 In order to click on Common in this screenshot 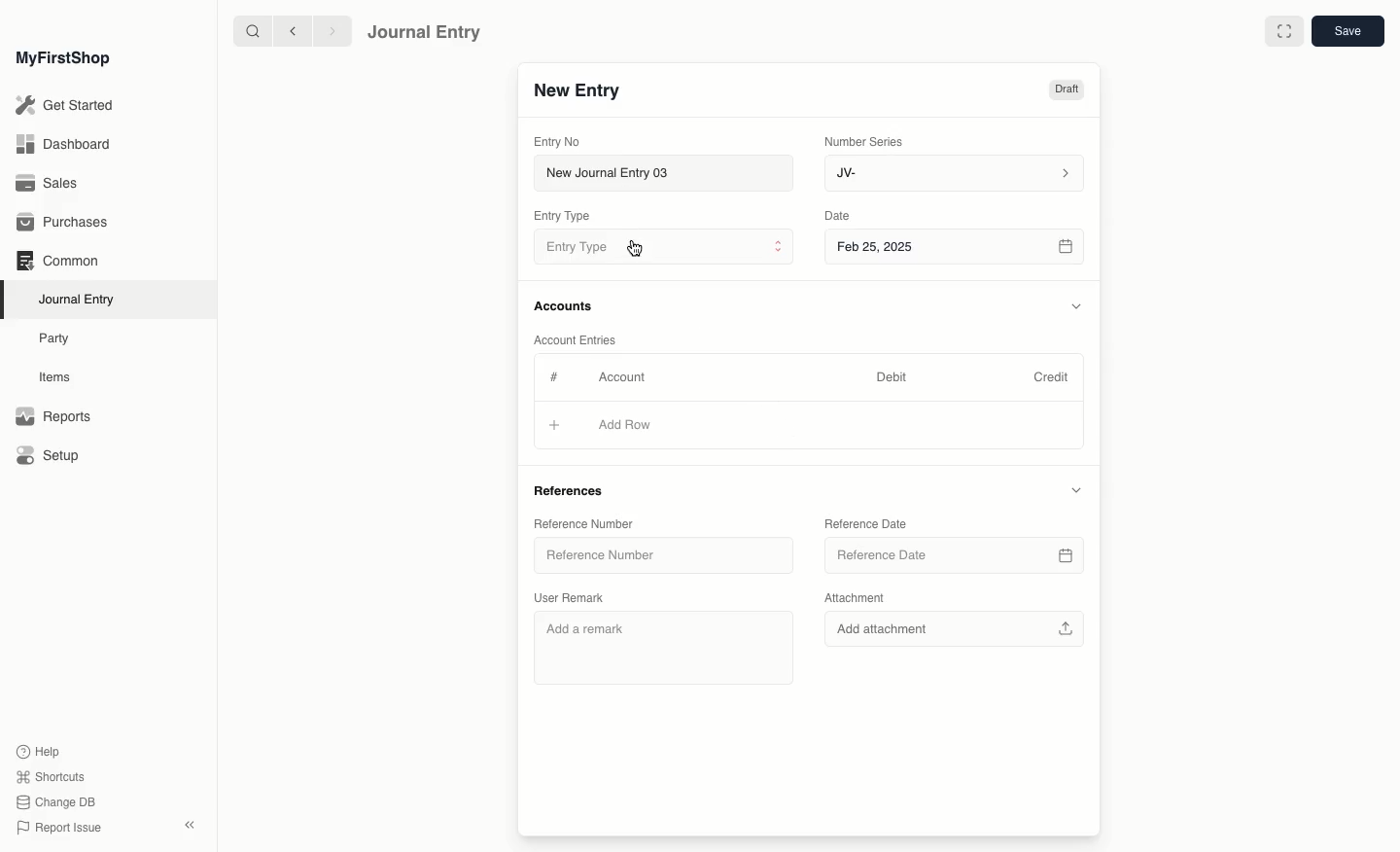, I will do `click(56, 261)`.